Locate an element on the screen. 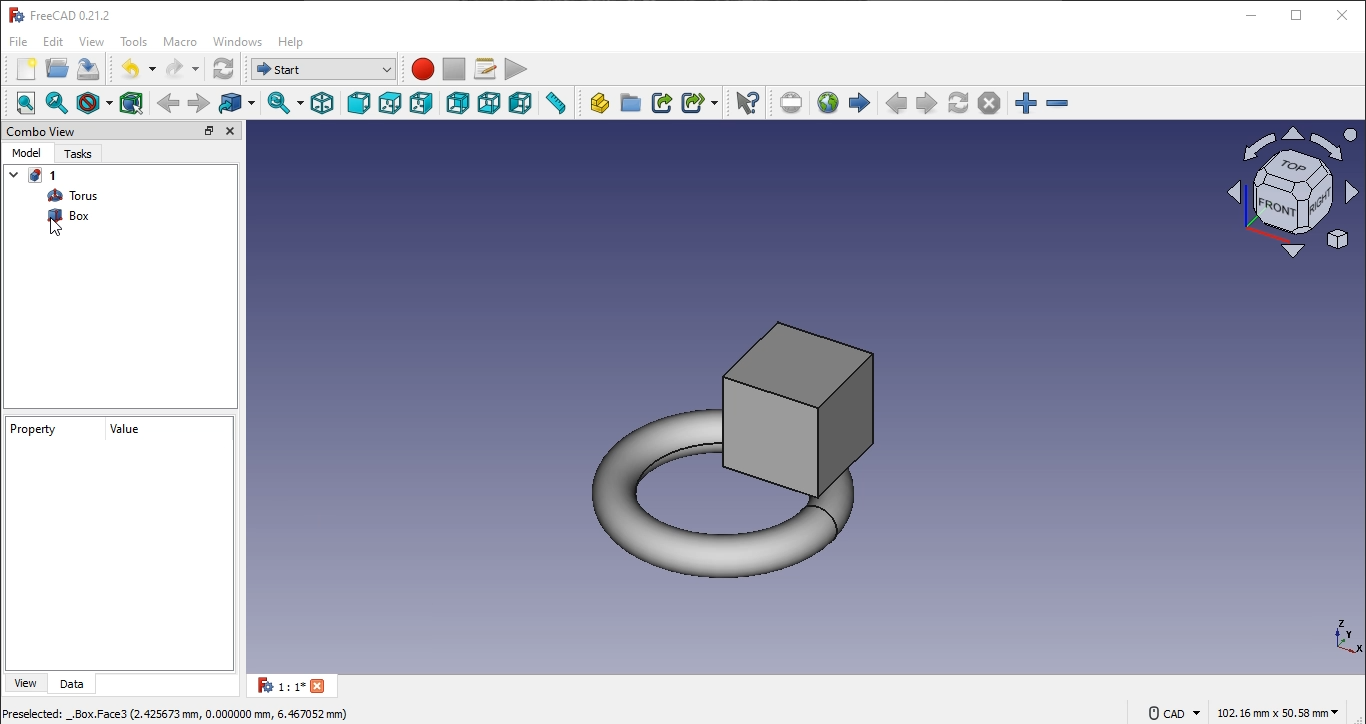 The width and height of the screenshot is (1366, 724). isometric view is located at coordinates (321, 104).